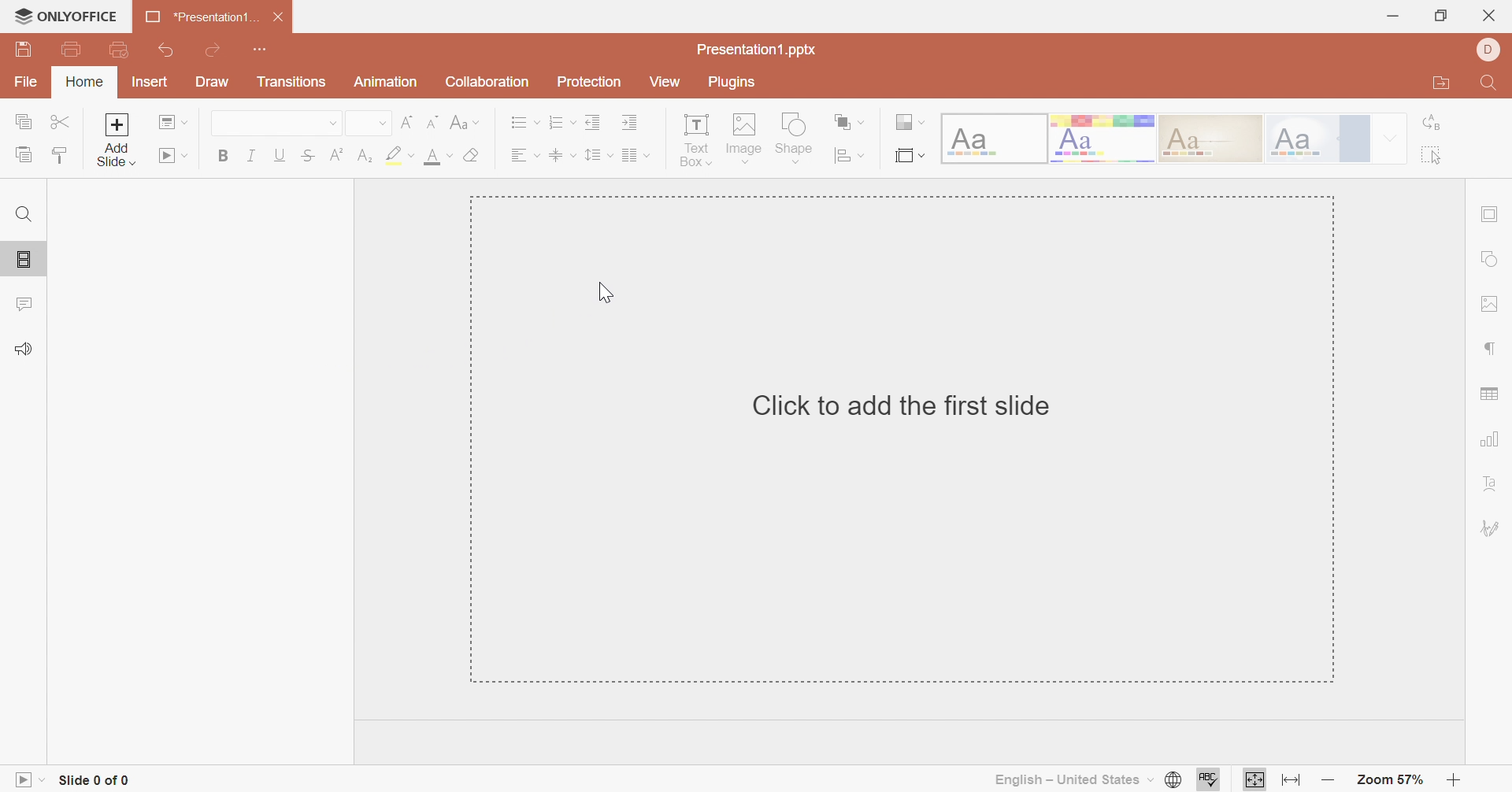  What do you see at coordinates (648, 156) in the screenshot?
I see `Drop Down` at bounding box center [648, 156].